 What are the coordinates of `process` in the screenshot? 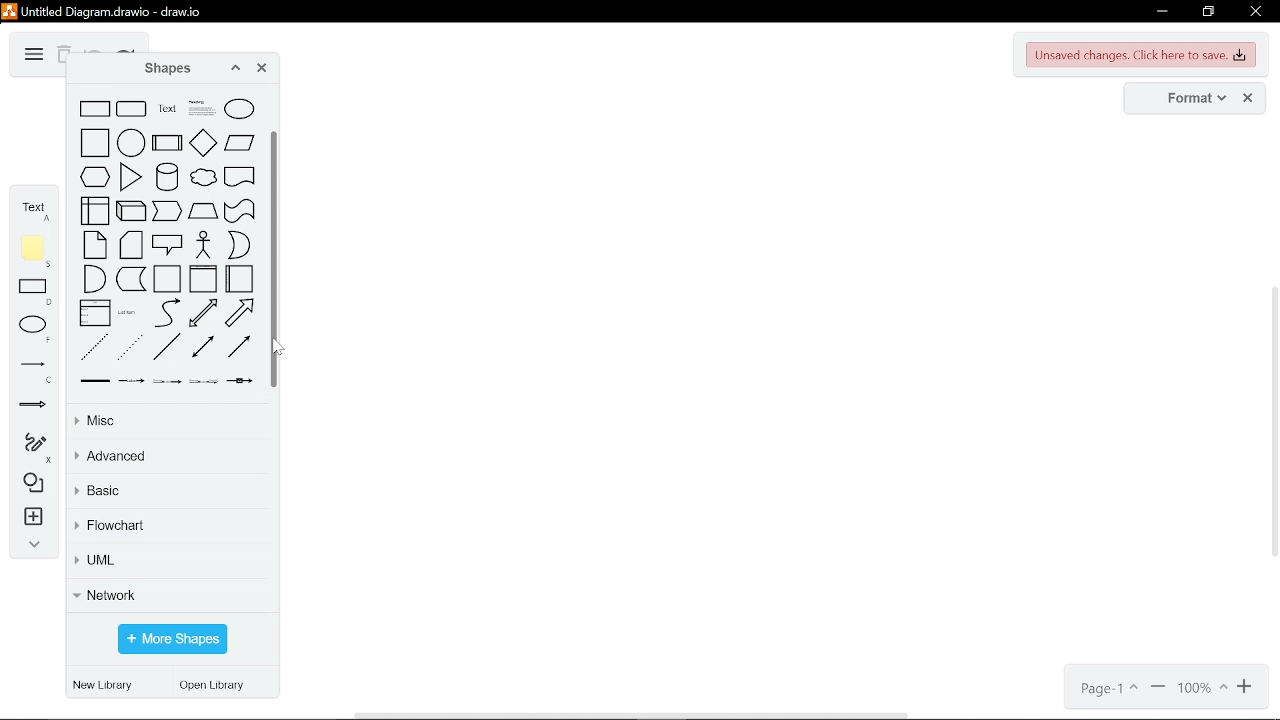 It's located at (167, 142).